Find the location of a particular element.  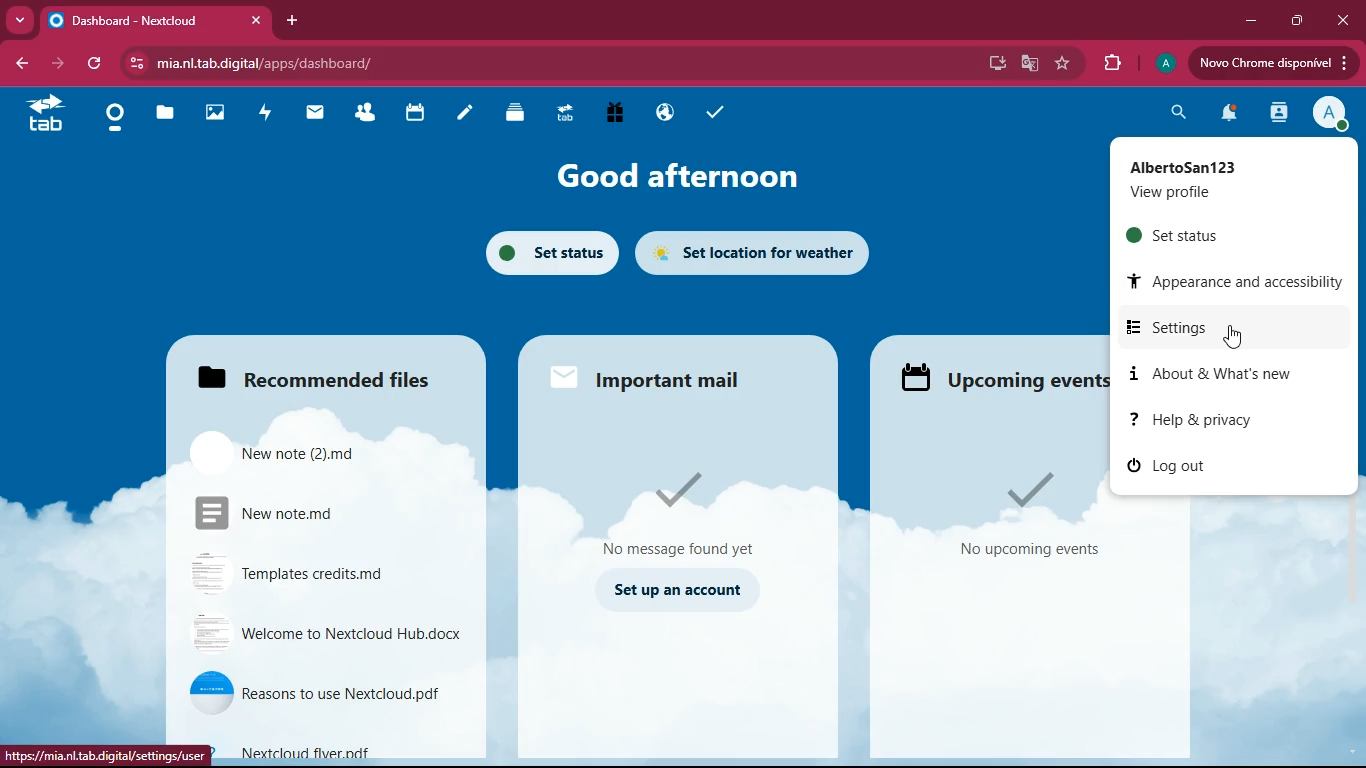

upcoming events is located at coordinates (1000, 380).